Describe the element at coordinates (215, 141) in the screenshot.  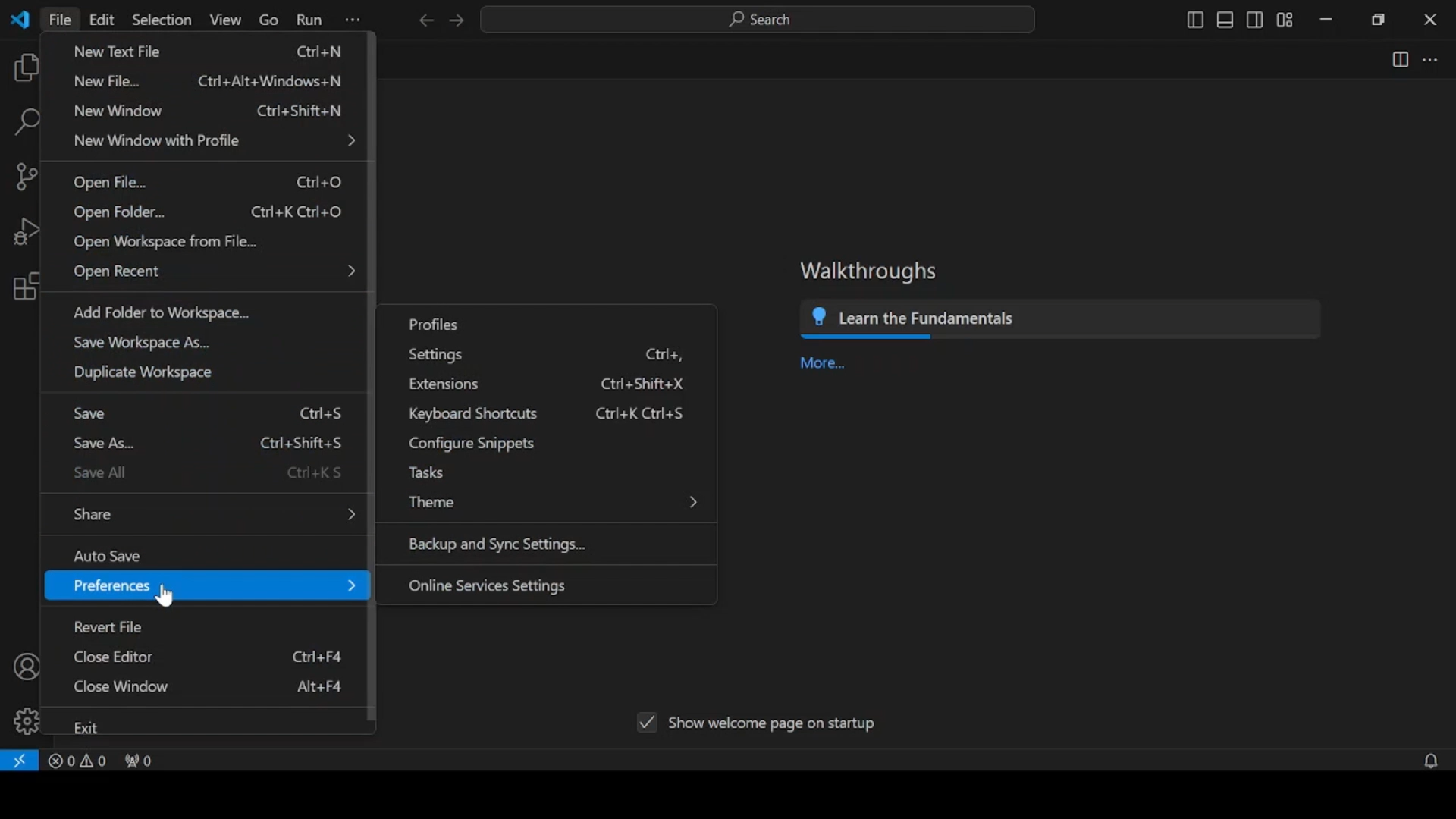
I see `new window with profile menu` at that location.